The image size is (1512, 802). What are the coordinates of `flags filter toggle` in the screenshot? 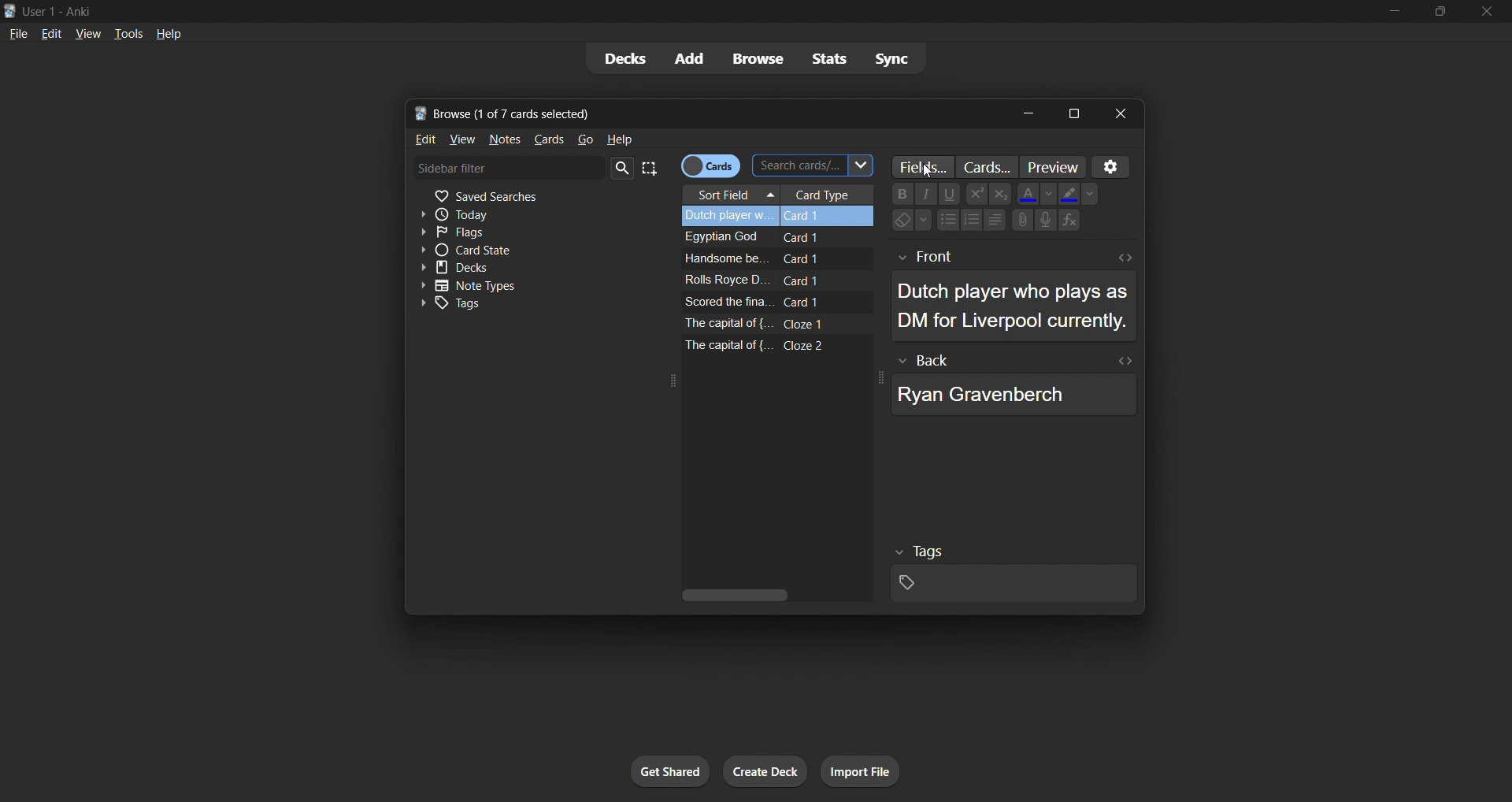 It's located at (502, 232).